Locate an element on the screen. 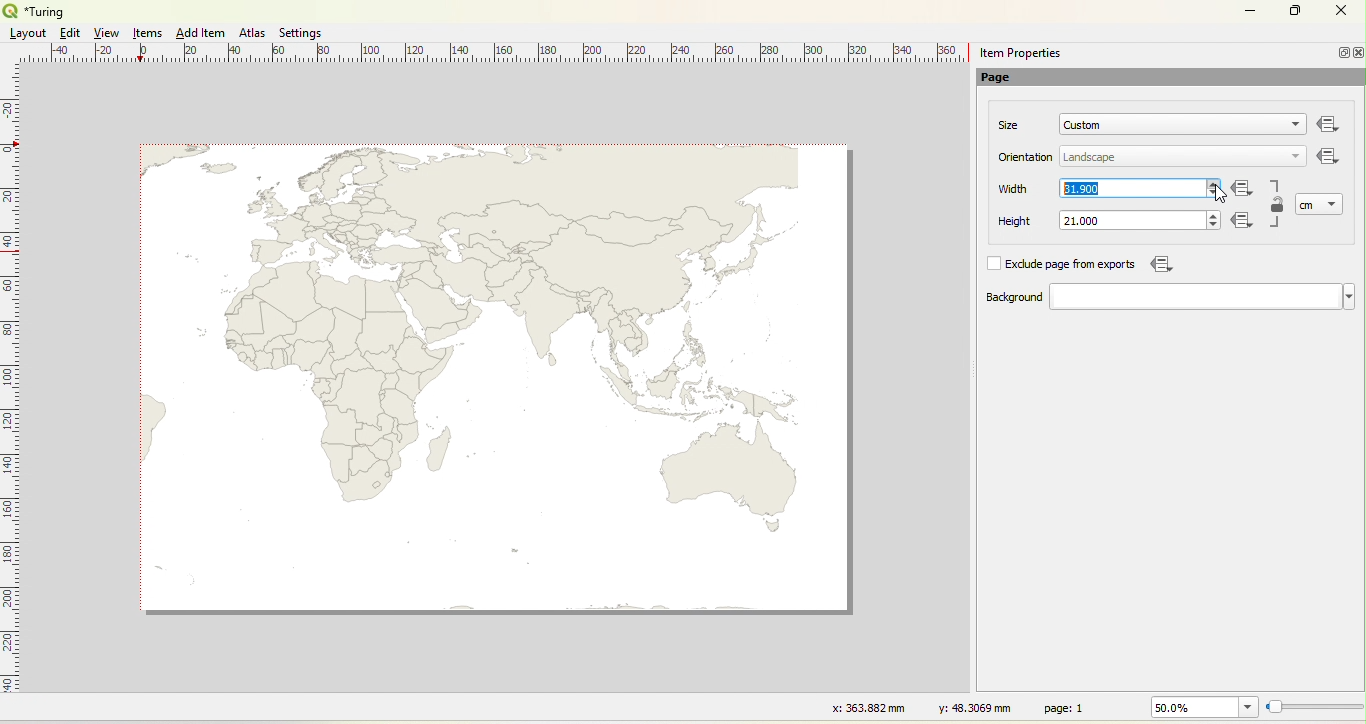 This screenshot has width=1366, height=724. close is located at coordinates (1357, 53).